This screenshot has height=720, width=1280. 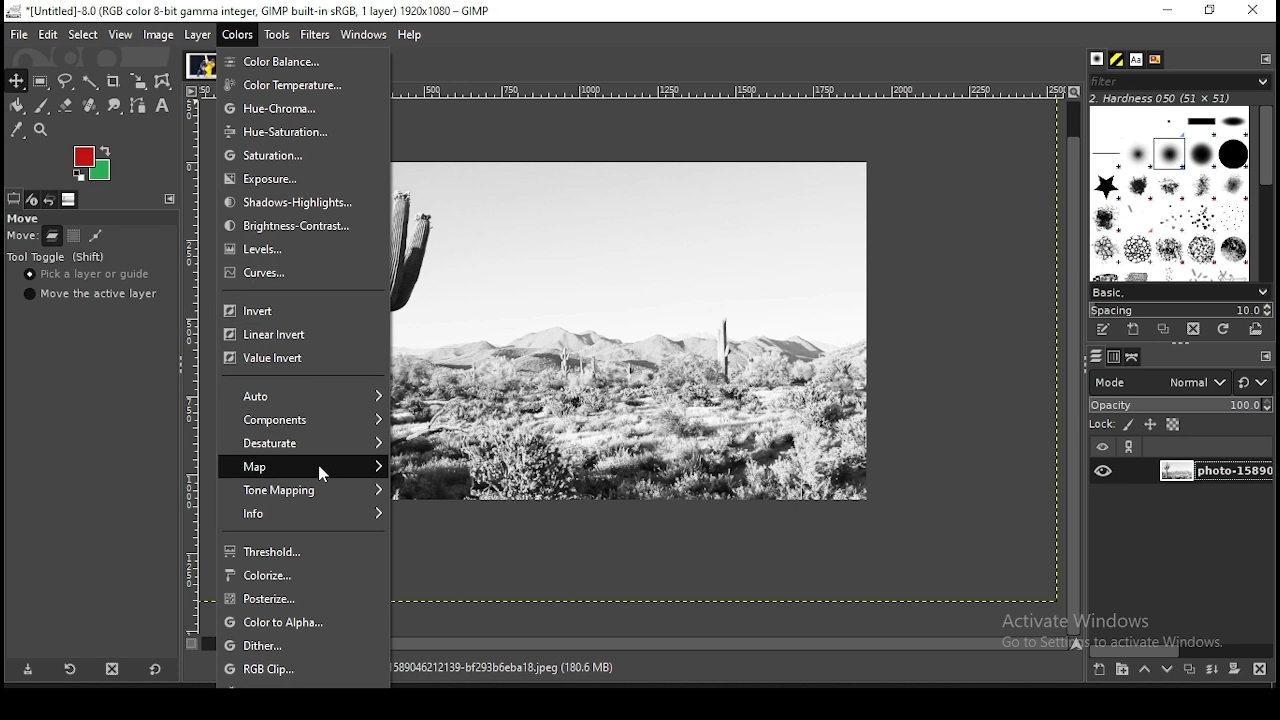 I want to click on auto, so click(x=307, y=396).